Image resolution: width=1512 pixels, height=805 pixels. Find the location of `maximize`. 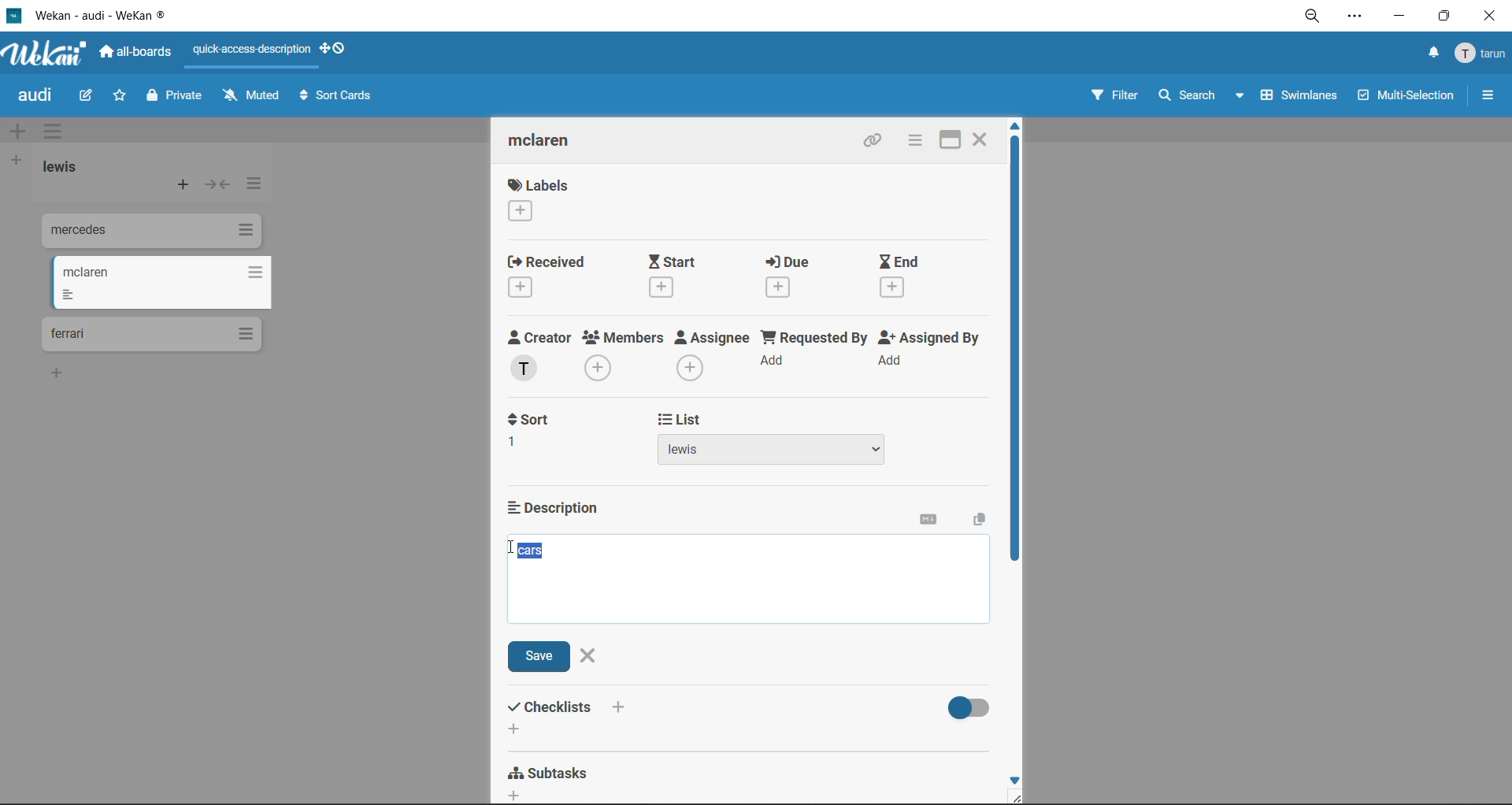

maximize is located at coordinates (1448, 15).